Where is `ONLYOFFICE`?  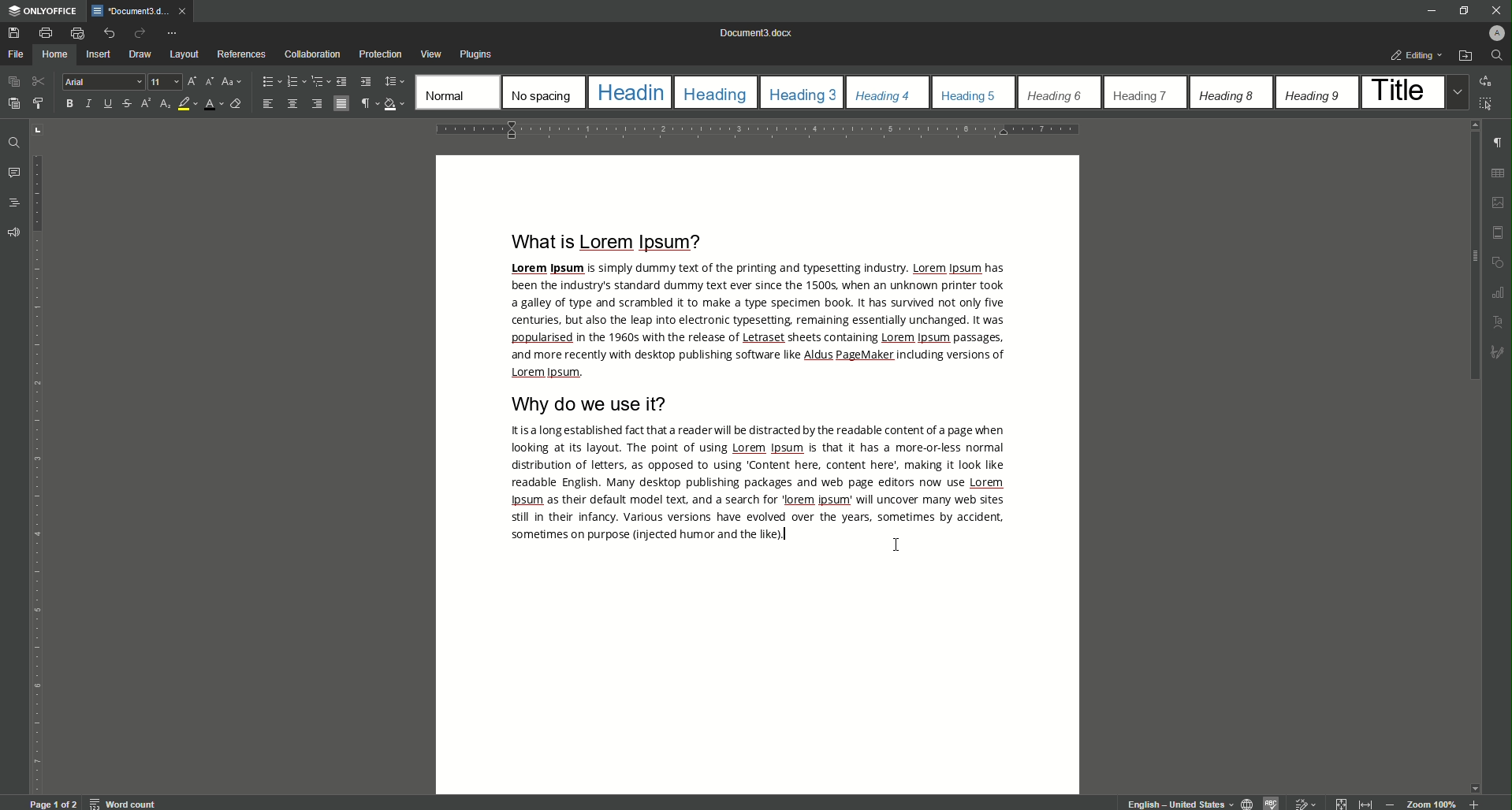
ONLYOFFICE is located at coordinates (40, 10).